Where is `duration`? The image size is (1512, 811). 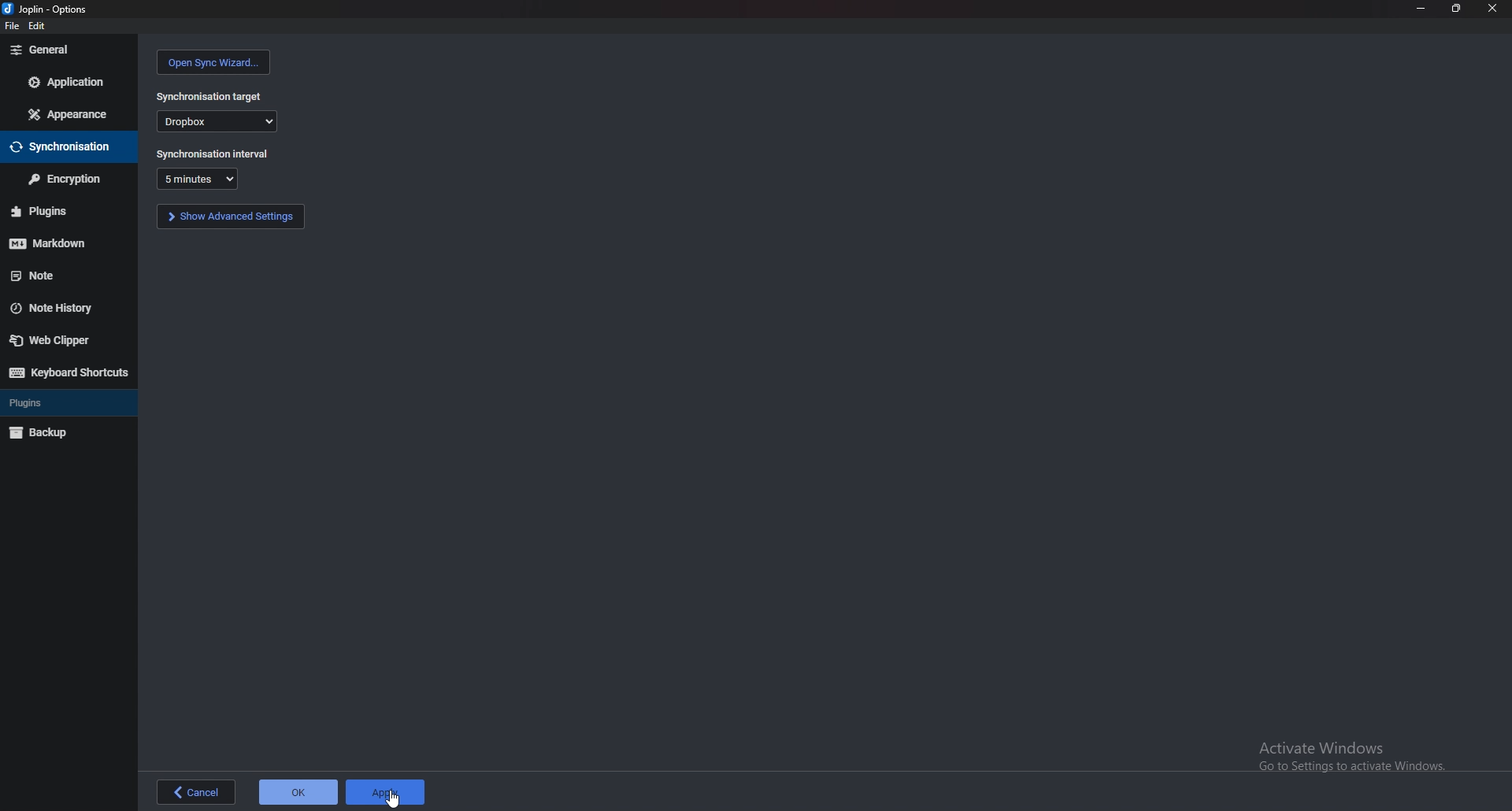
duration is located at coordinates (195, 180).